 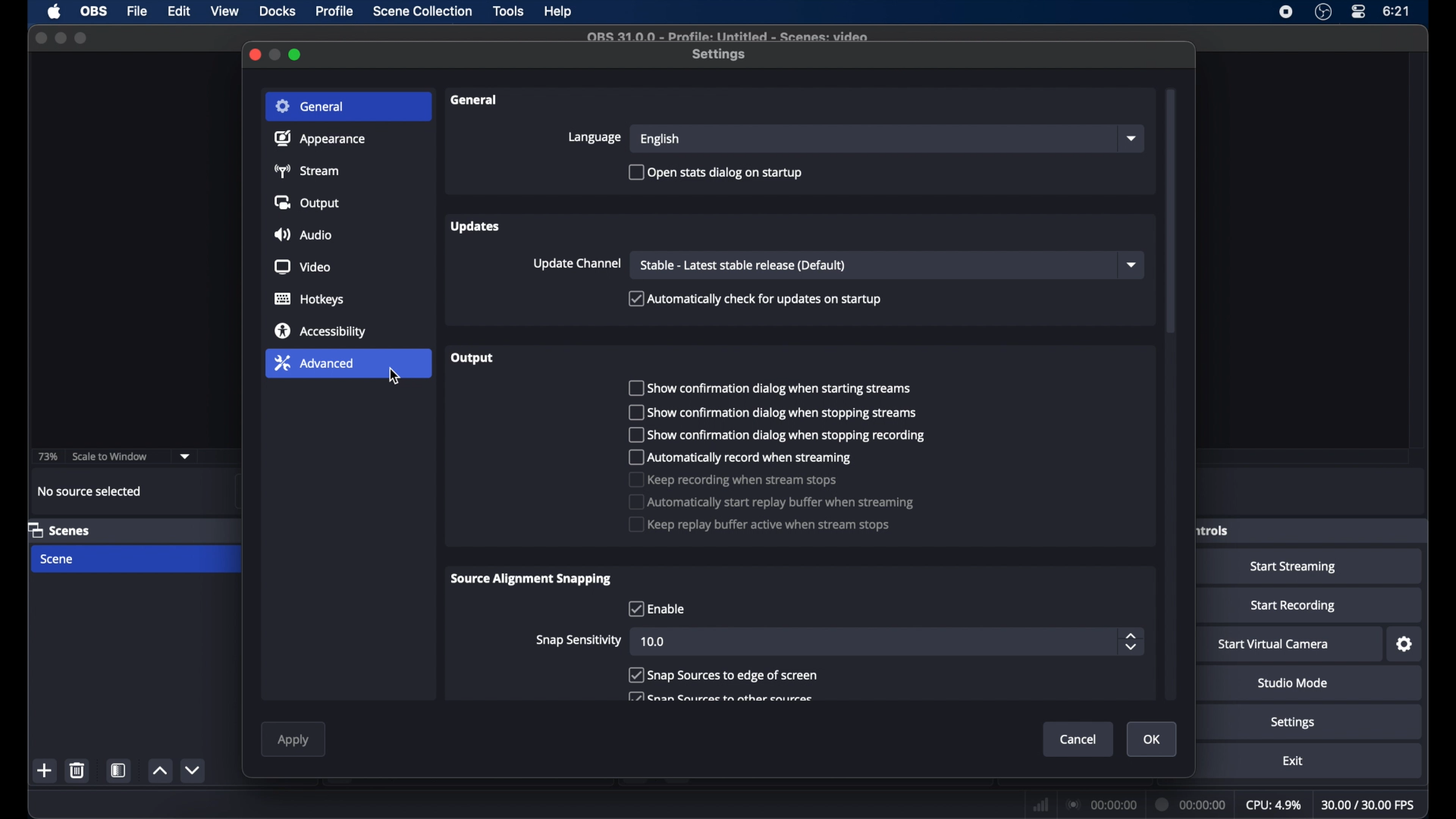 What do you see at coordinates (303, 234) in the screenshot?
I see `audio` at bounding box center [303, 234].